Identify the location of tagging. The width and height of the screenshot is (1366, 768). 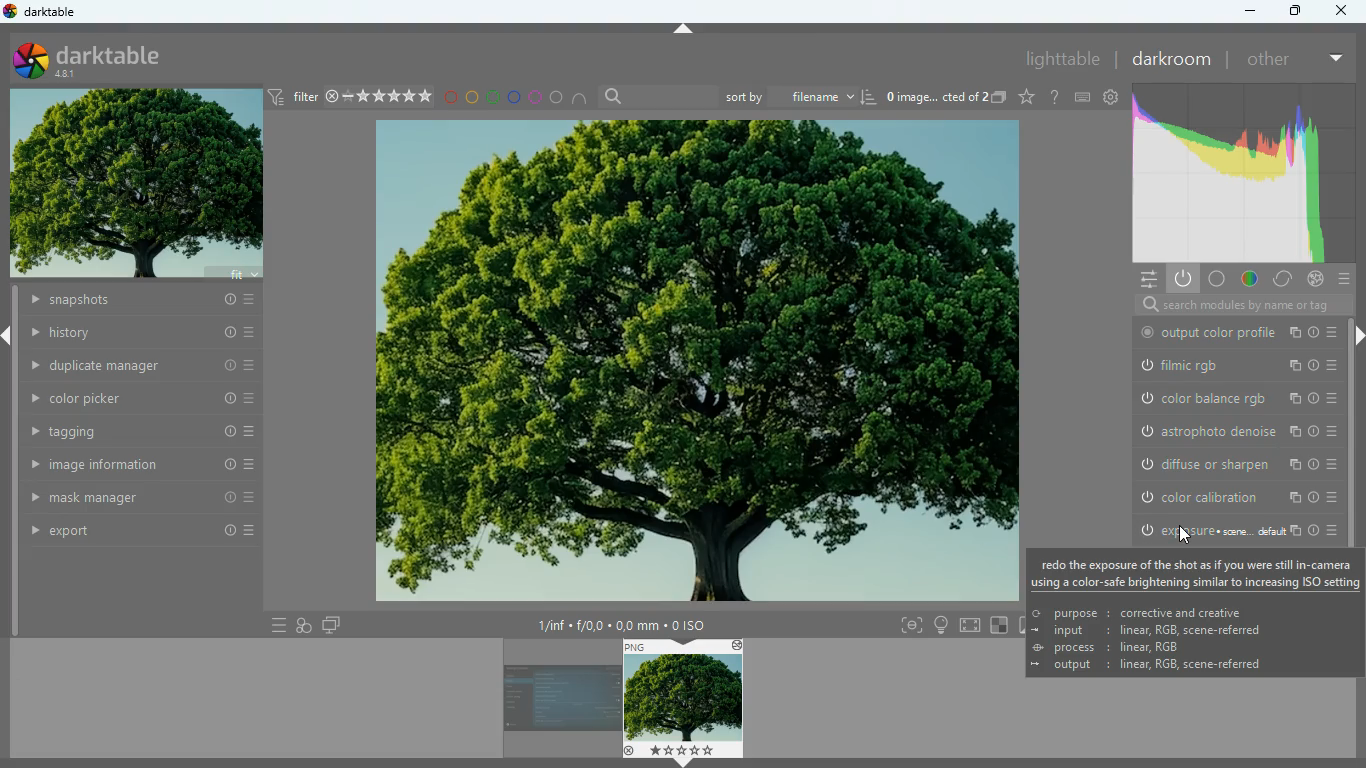
(131, 432).